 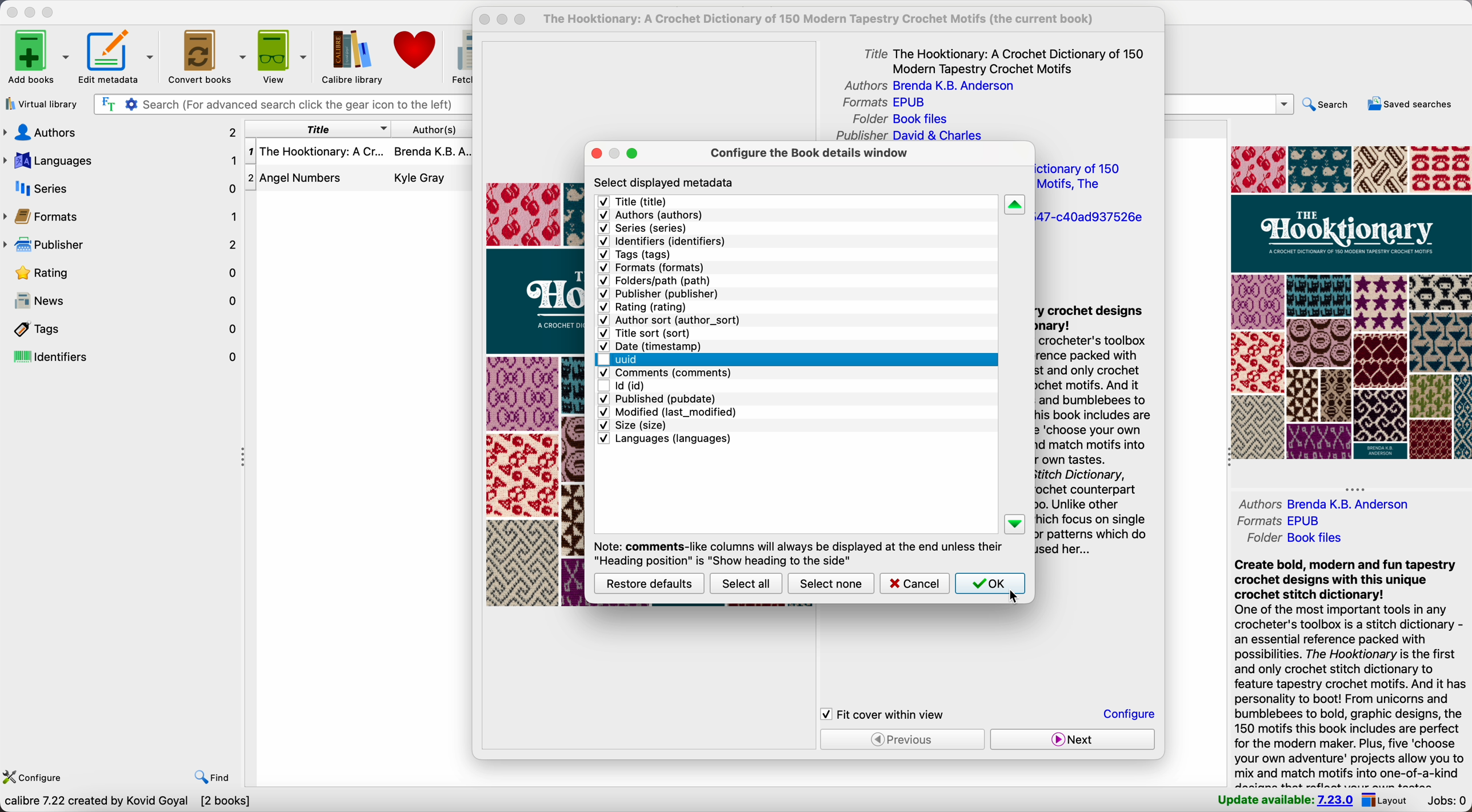 What do you see at coordinates (350, 55) in the screenshot?
I see `Calibre library` at bounding box center [350, 55].